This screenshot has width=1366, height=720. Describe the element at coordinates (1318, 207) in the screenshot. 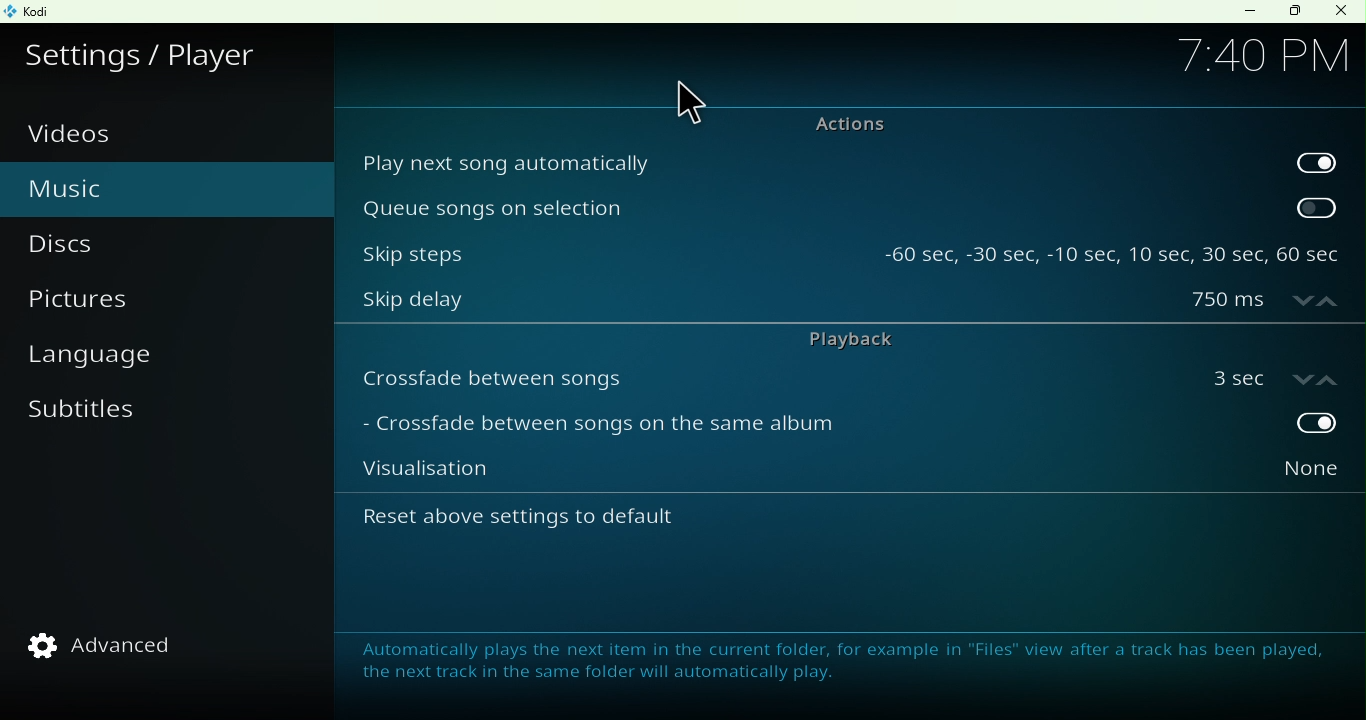

I see `toggle` at that location.